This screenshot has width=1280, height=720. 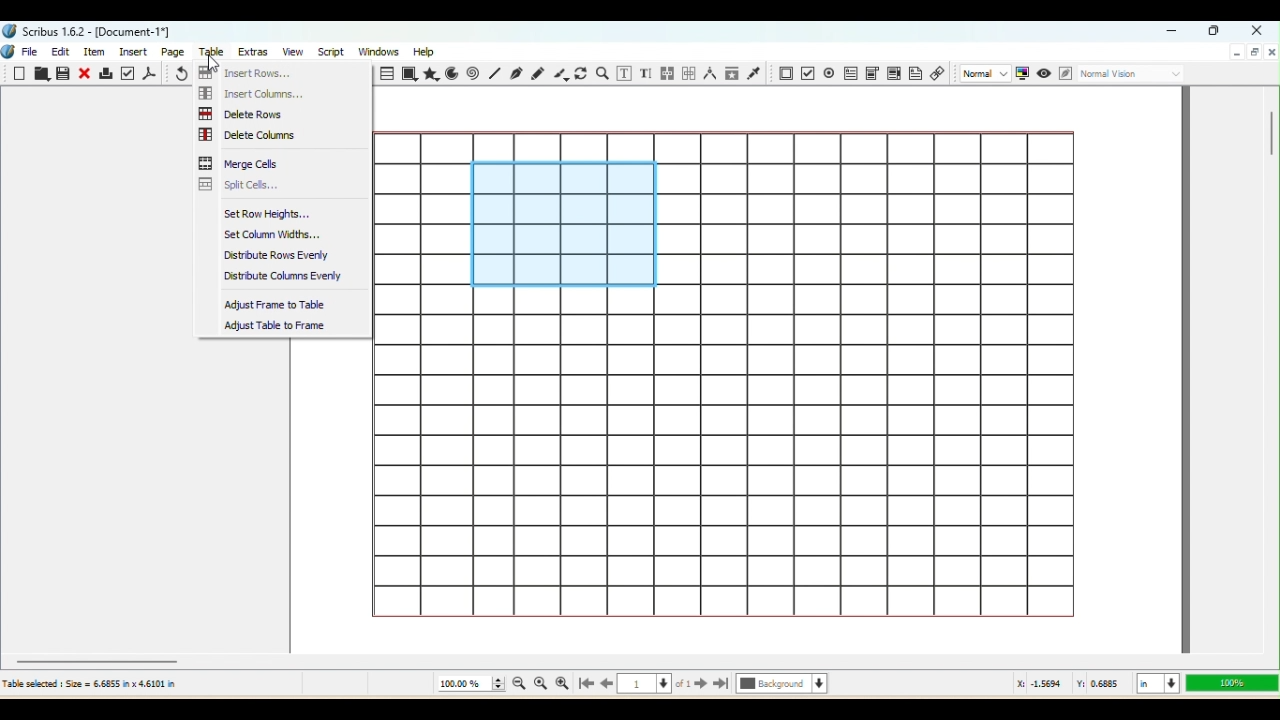 I want to click on Distribute columns evenly, so click(x=284, y=277).